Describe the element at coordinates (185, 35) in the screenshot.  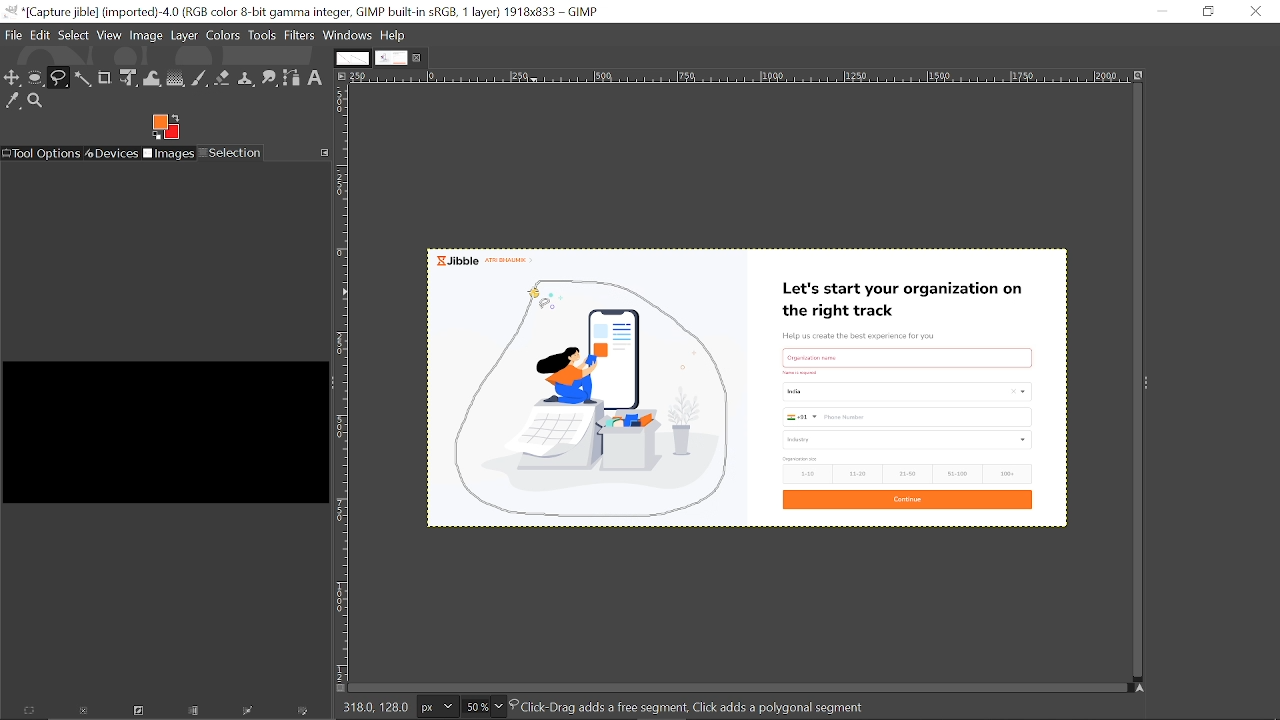
I see `Layer` at that location.